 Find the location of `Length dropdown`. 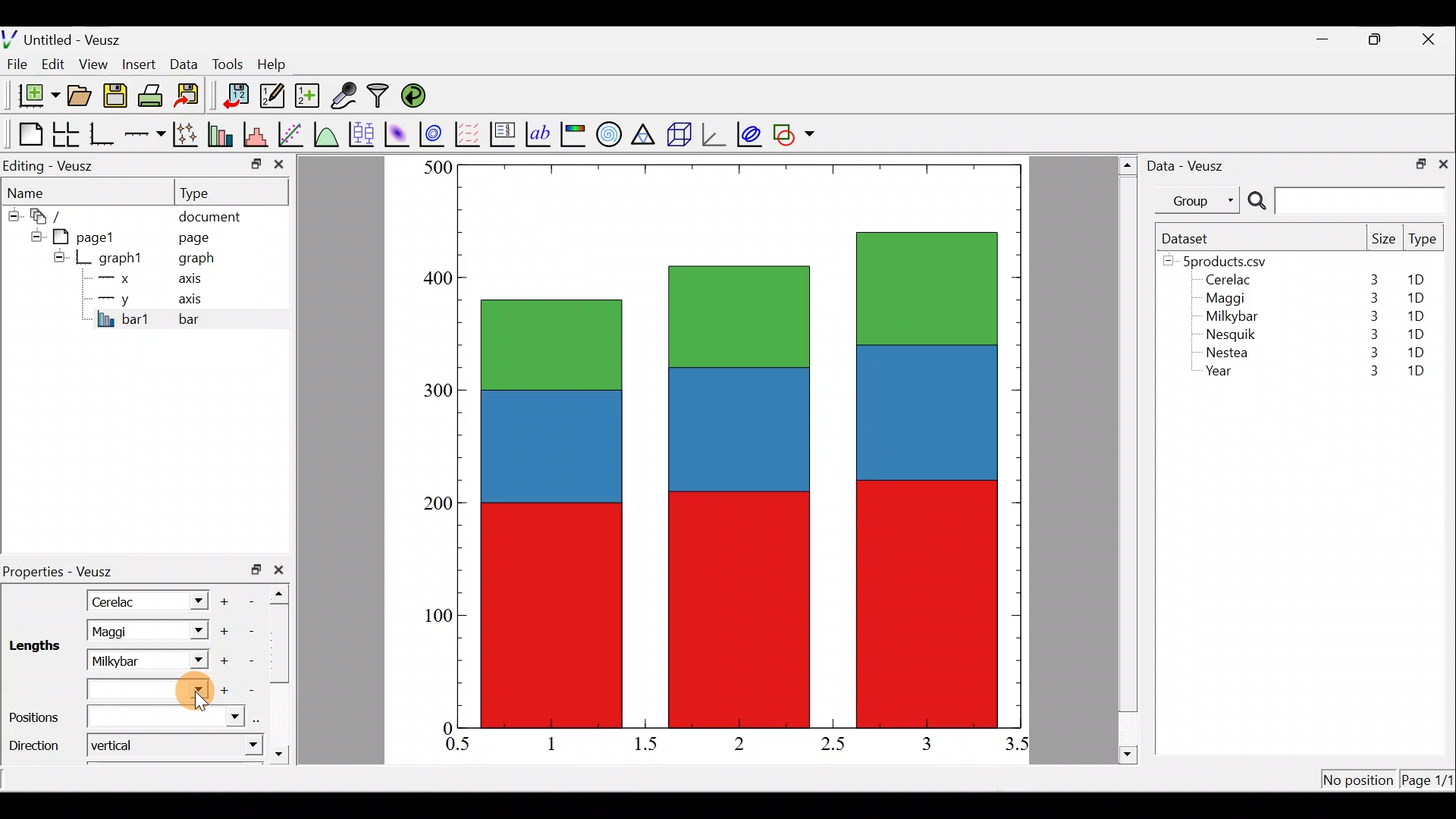

Length dropdown is located at coordinates (194, 631).